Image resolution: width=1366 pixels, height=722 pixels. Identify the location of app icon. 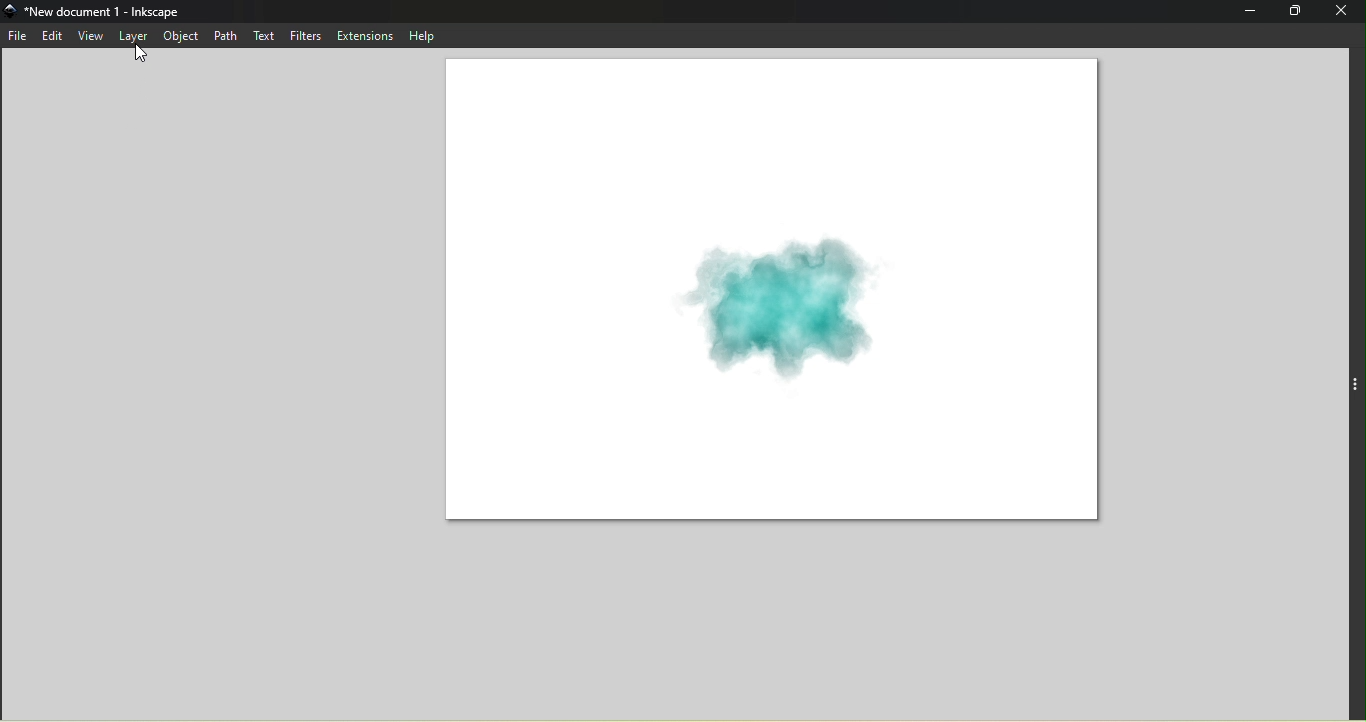
(12, 11).